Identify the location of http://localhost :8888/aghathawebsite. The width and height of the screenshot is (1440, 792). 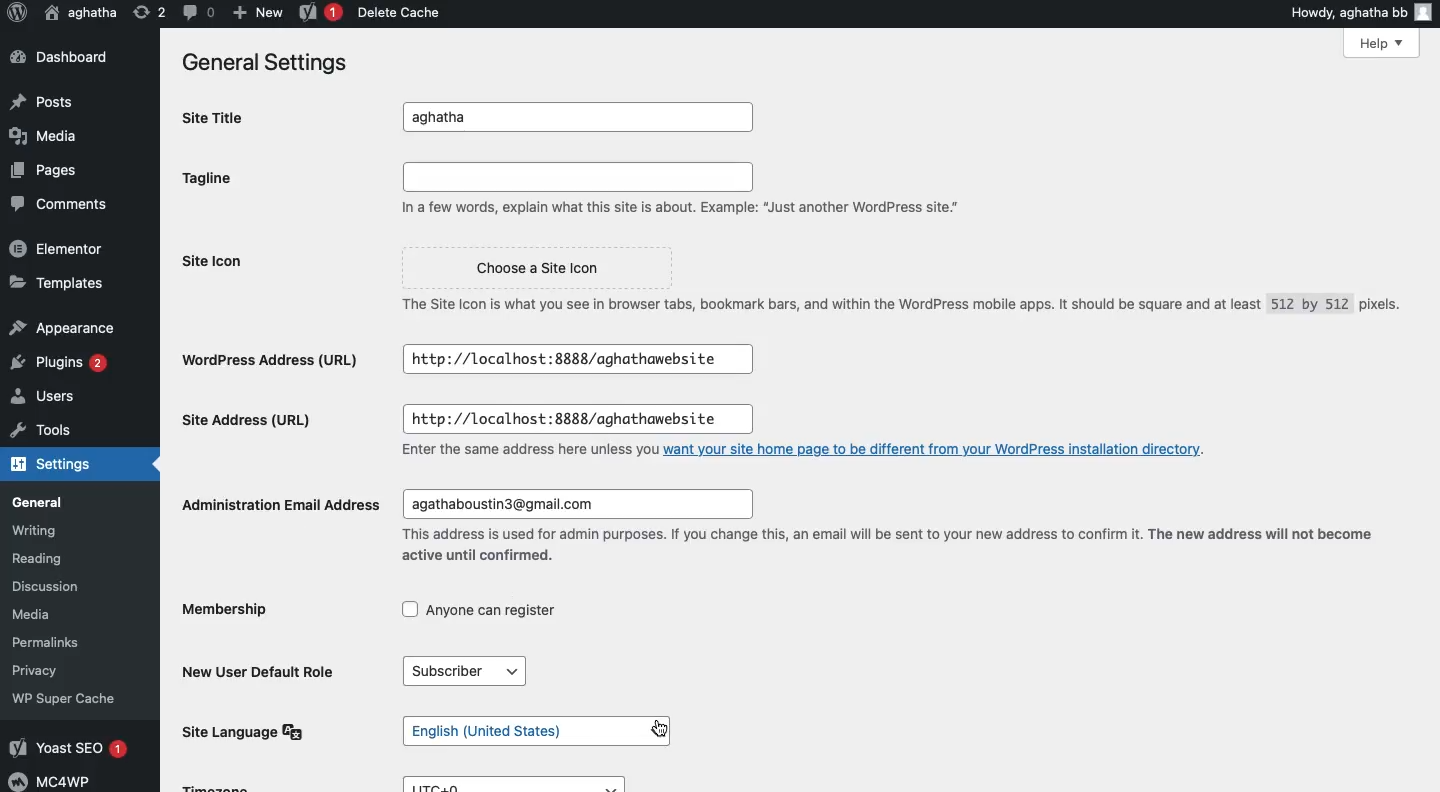
(576, 359).